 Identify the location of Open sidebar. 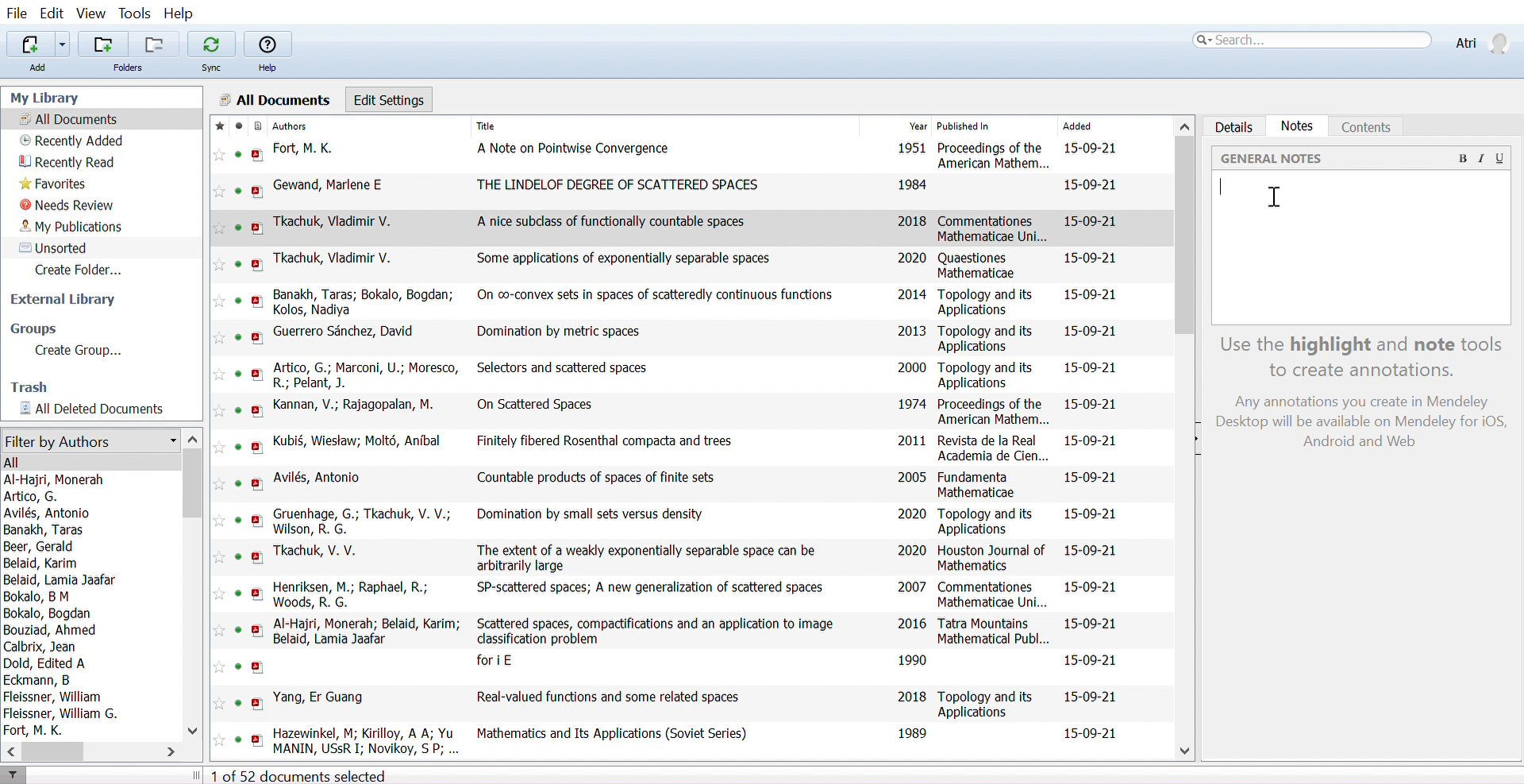
(1197, 440).